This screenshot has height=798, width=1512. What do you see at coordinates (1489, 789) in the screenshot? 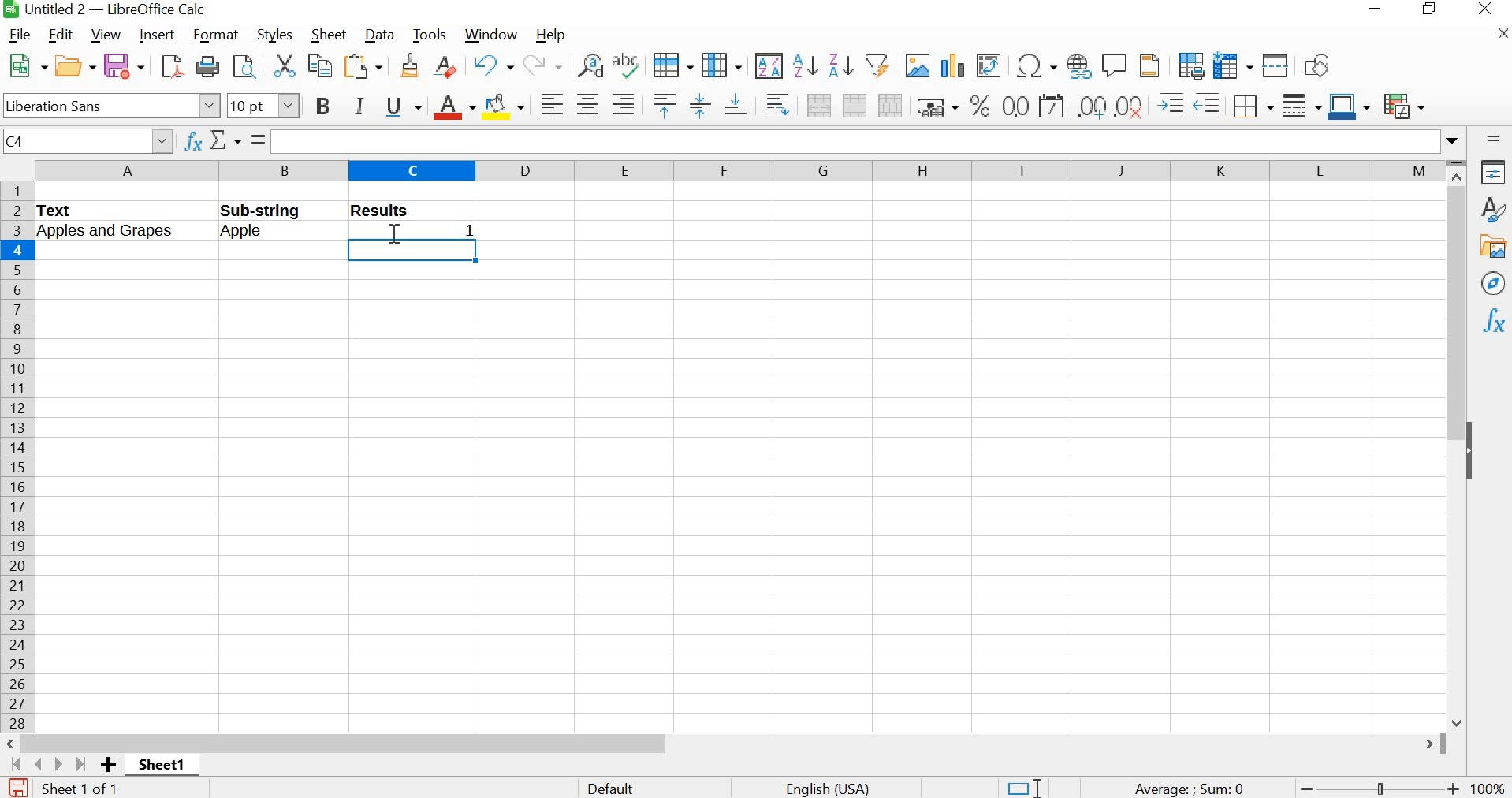
I see `zoom factor - 100%` at bounding box center [1489, 789].